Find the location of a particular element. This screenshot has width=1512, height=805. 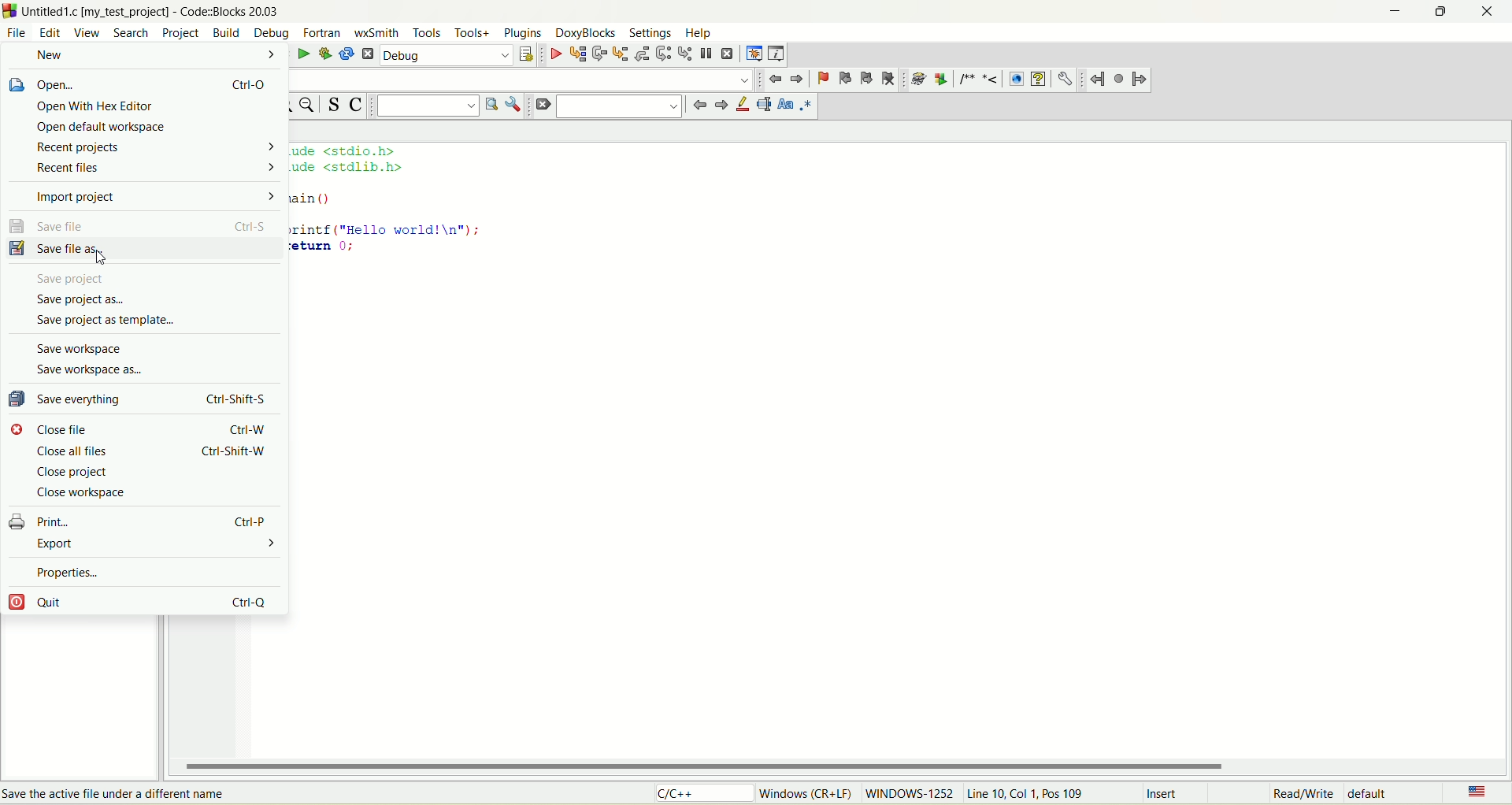

prev bookmark is located at coordinates (842, 77).